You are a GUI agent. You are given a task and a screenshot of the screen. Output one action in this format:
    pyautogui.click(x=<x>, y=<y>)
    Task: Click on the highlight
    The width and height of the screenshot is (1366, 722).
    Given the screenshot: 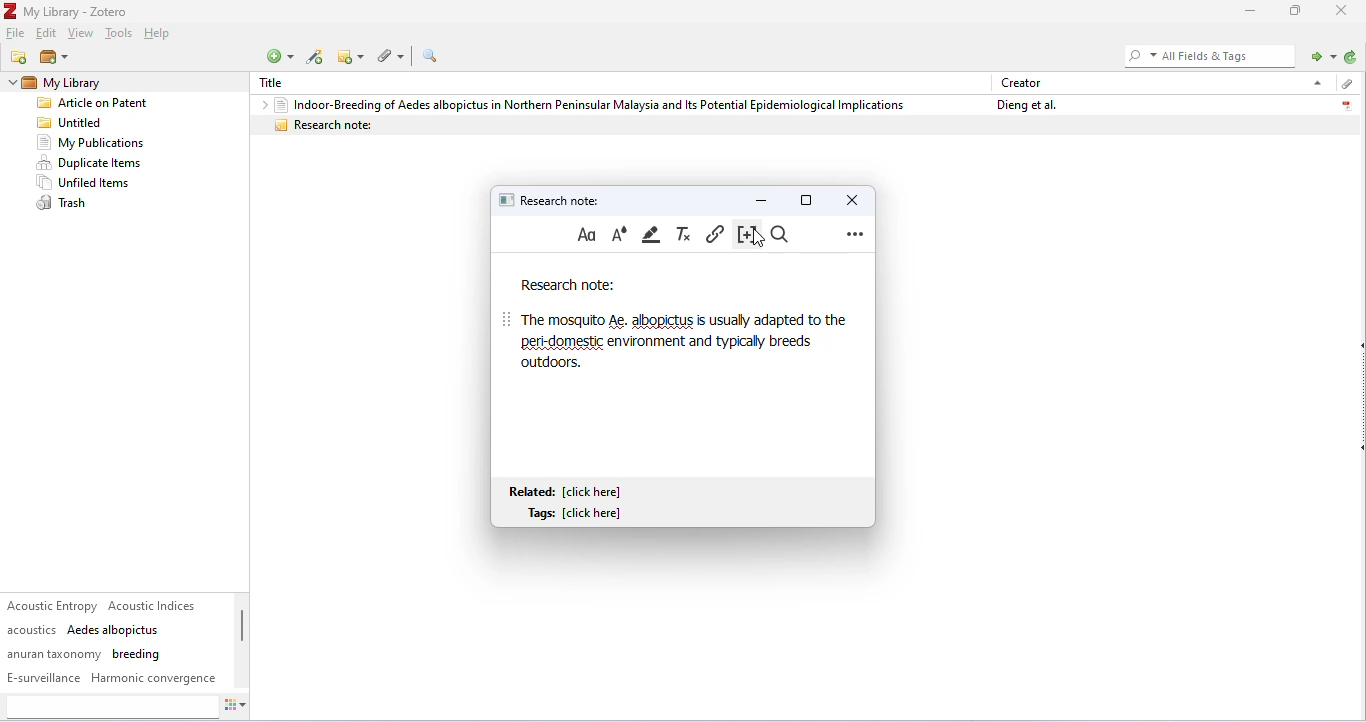 What is the action you would take?
    pyautogui.click(x=653, y=234)
    